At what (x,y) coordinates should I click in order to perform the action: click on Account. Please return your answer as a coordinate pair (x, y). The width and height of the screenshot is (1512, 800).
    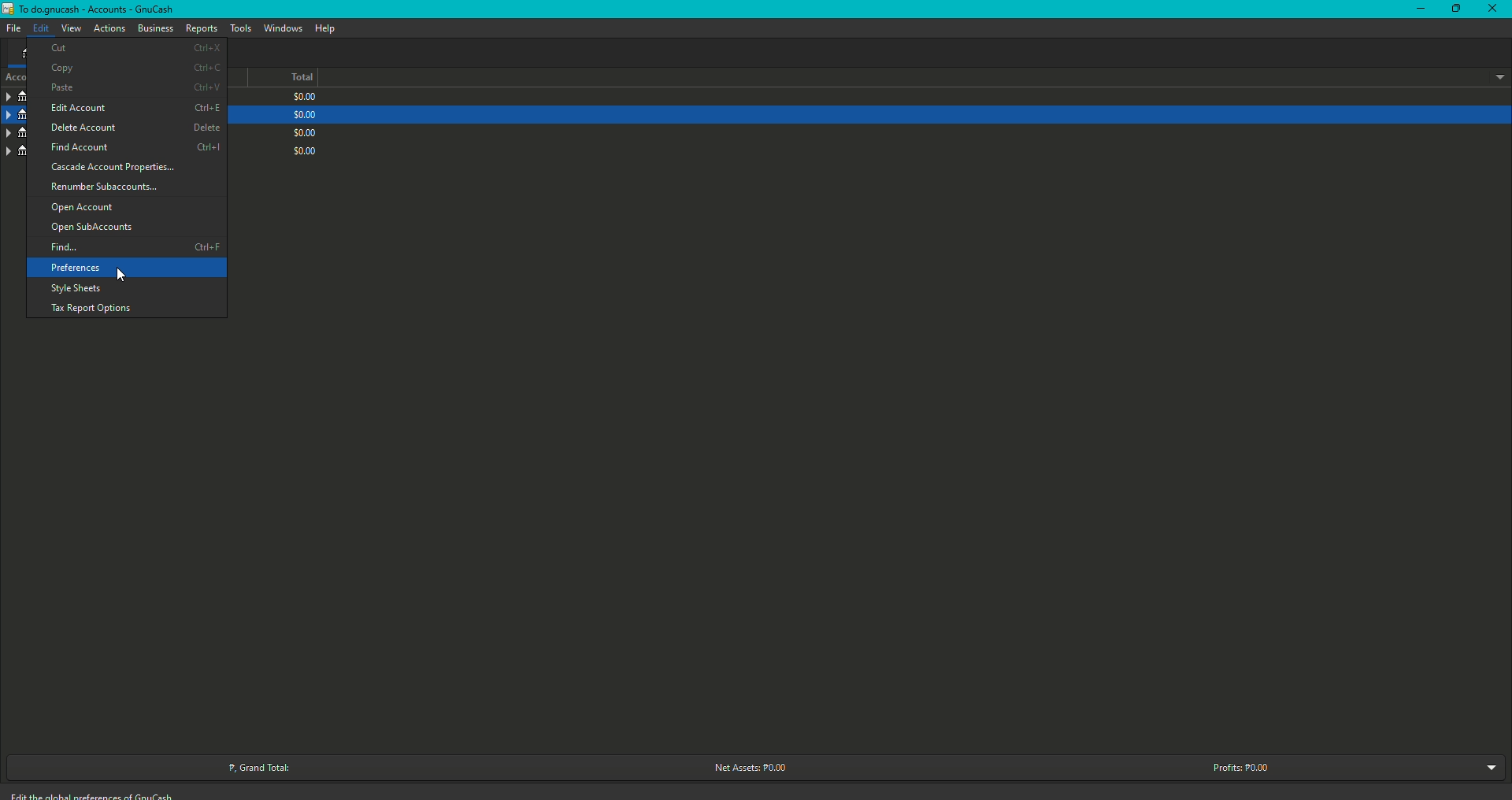
    Looking at the image, I should click on (13, 116).